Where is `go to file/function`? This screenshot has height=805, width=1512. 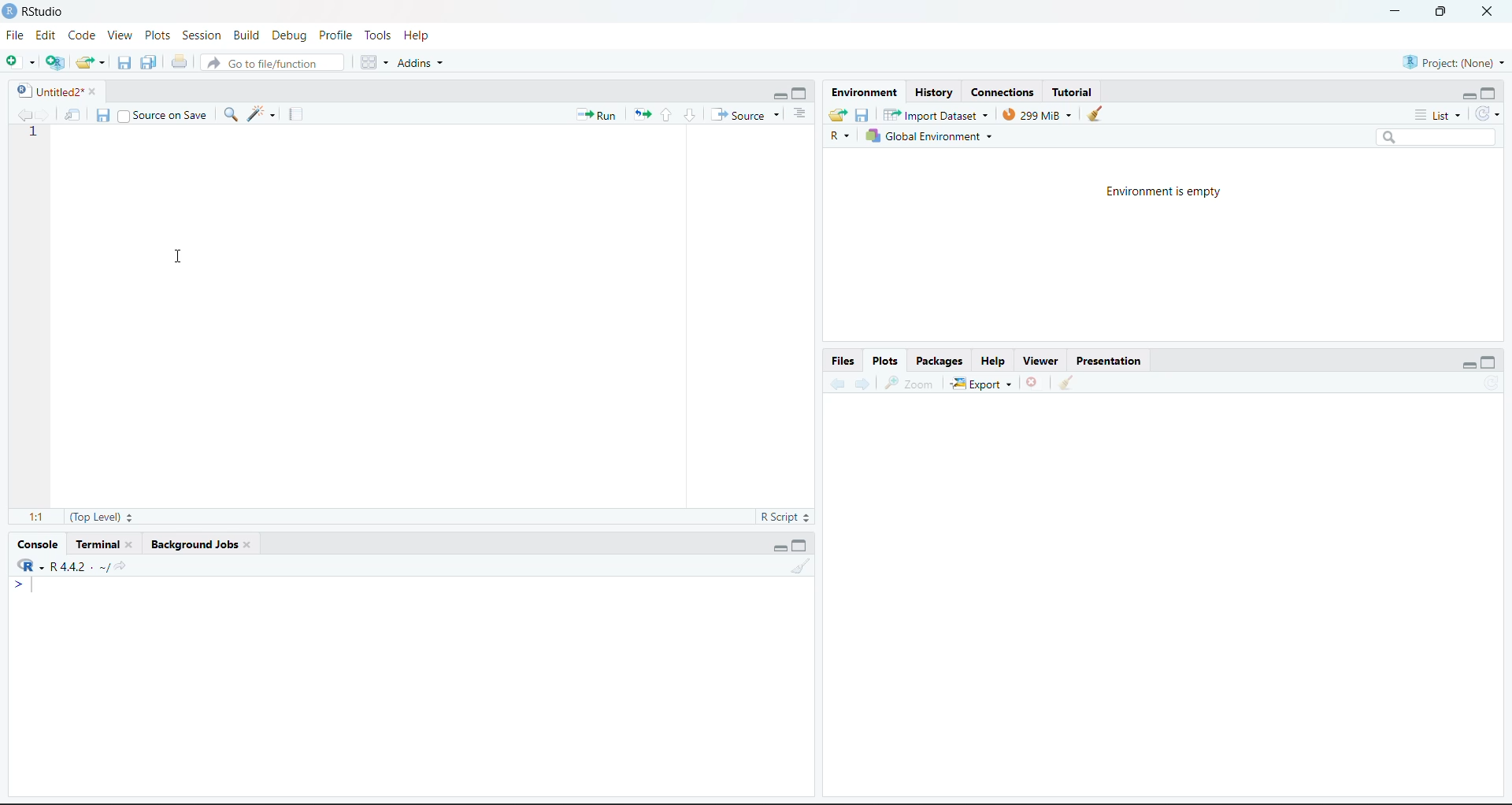
go to file/function is located at coordinates (271, 63).